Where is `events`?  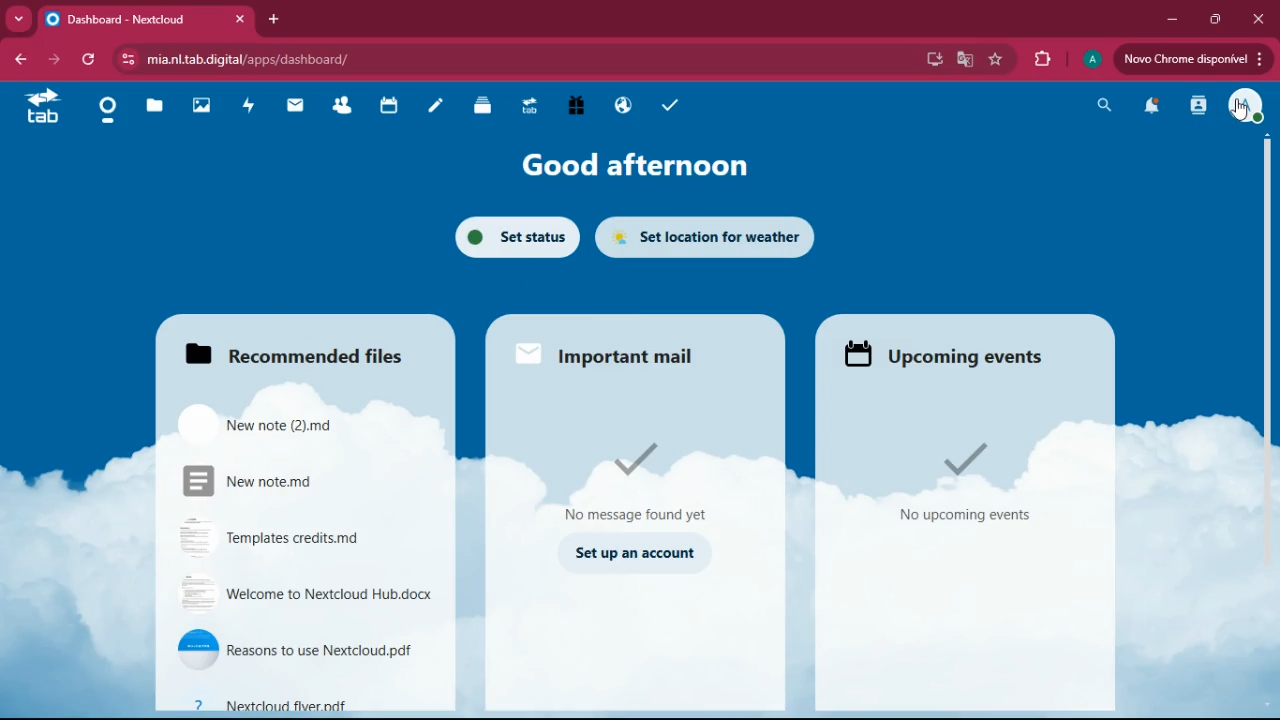 events is located at coordinates (963, 352).